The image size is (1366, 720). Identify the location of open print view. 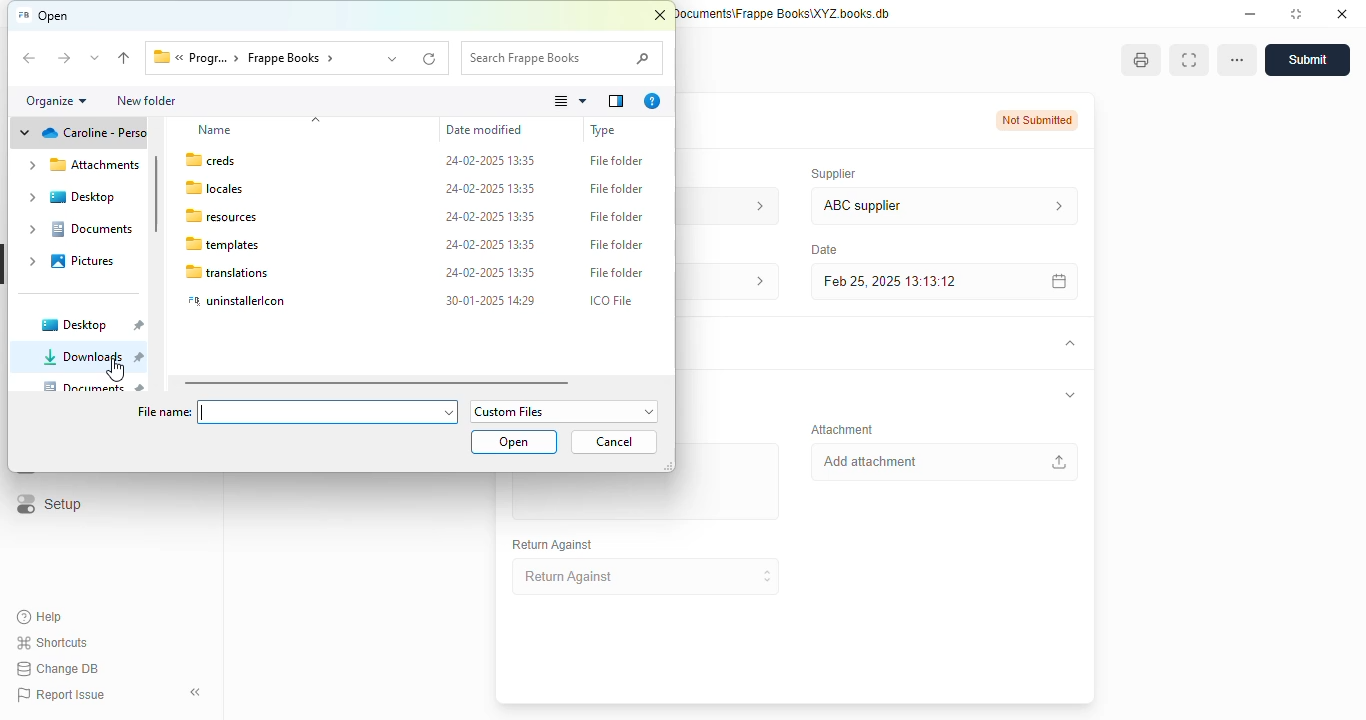
(1141, 60).